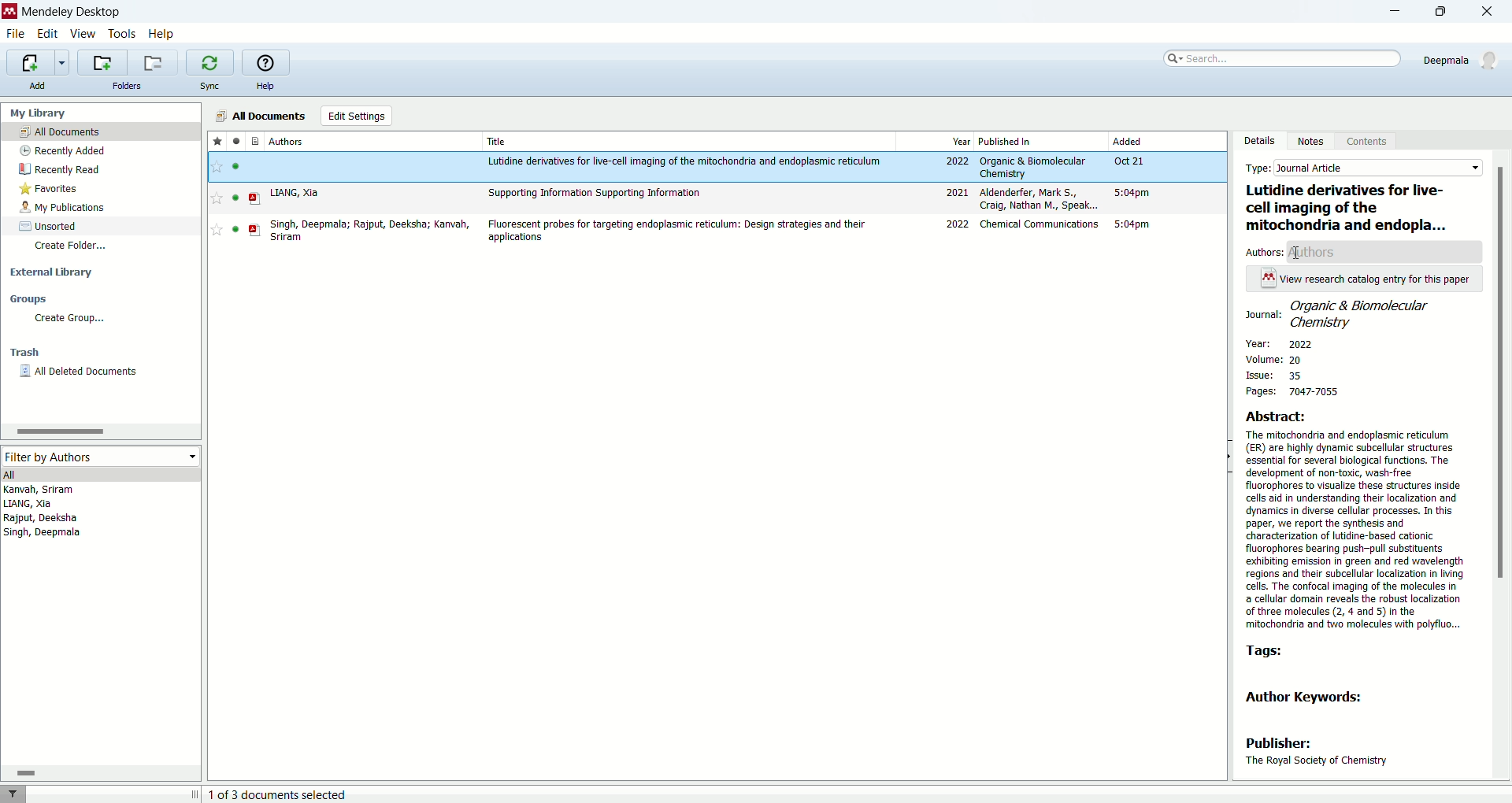 The height and width of the screenshot is (803, 1512). I want to click on synchronize library with mendeley web, so click(210, 64).